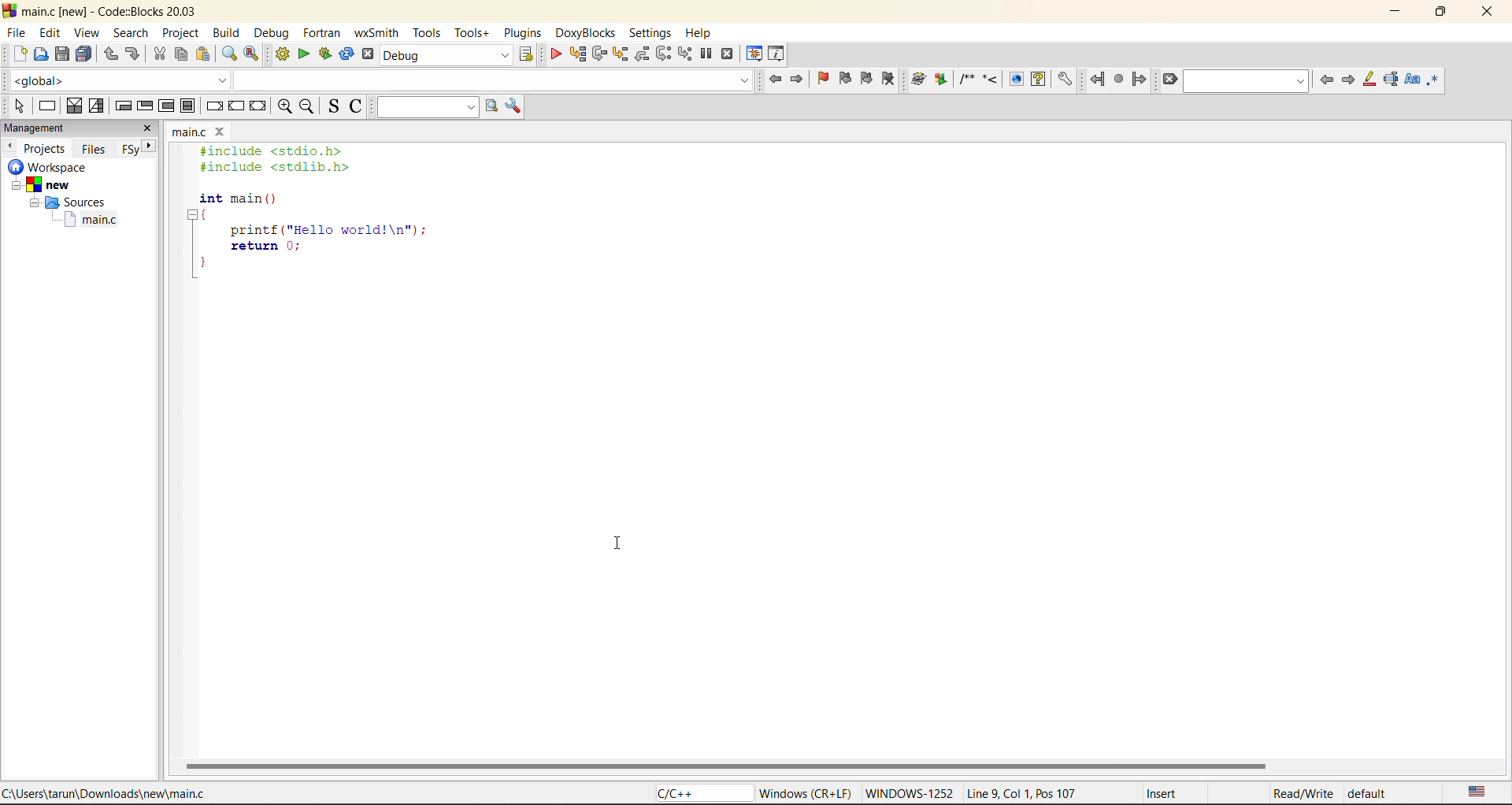 The image size is (1512, 805). What do you see at coordinates (584, 33) in the screenshot?
I see `doxyblocks` at bounding box center [584, 33].